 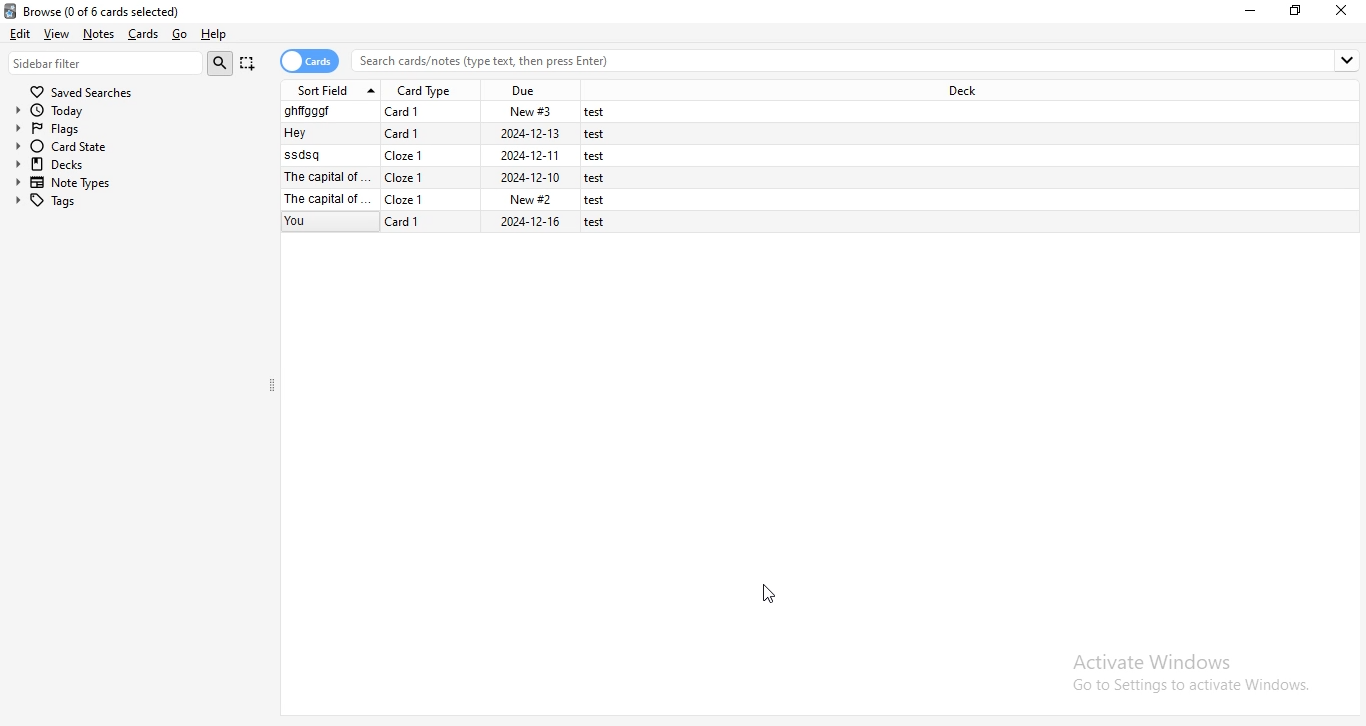 I want to click on deck, so click(x=962, y=91).